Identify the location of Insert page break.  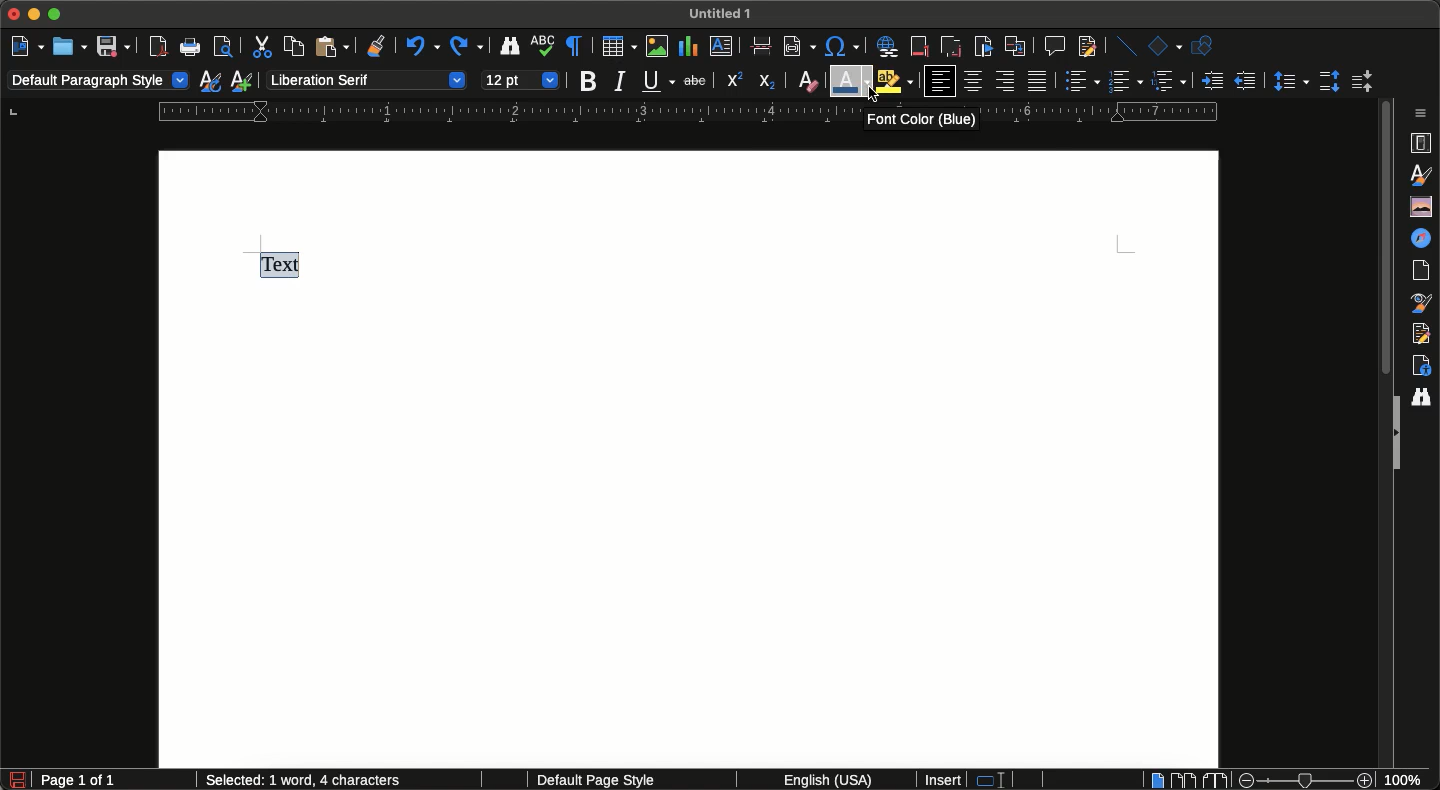
(760, 48).